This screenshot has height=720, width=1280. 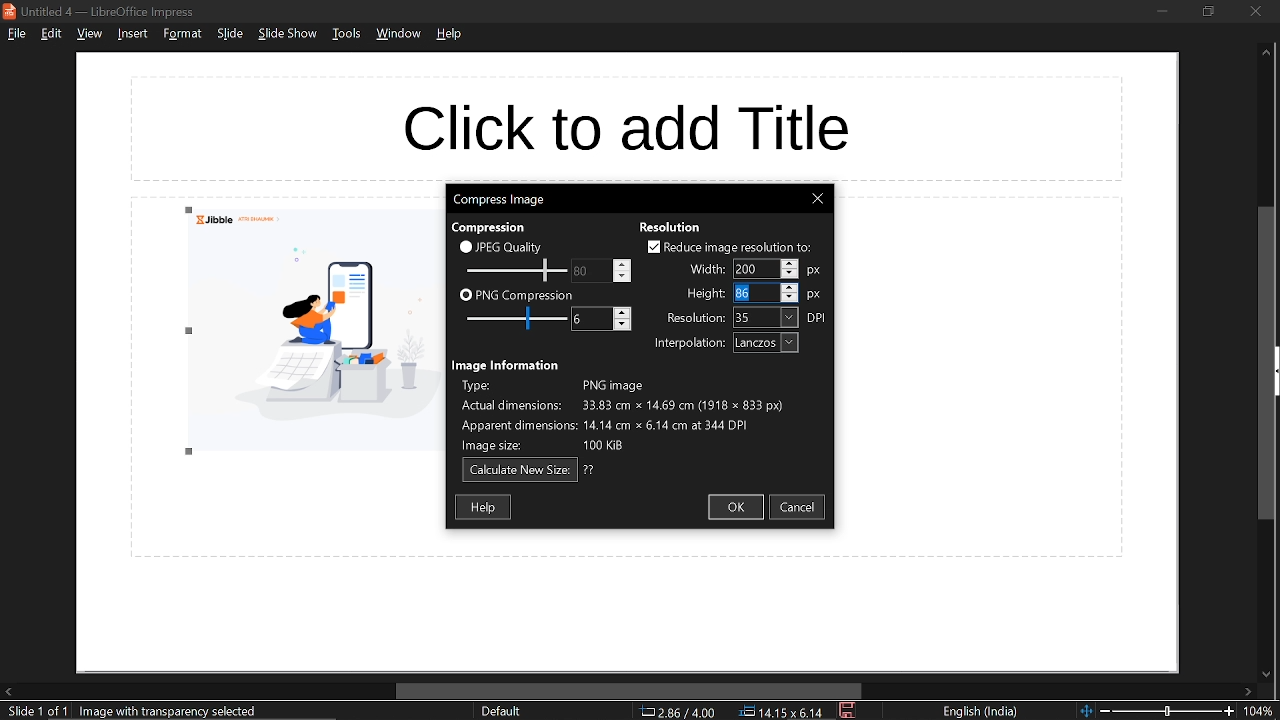 I want to click on language, so click(x=981, y=712).